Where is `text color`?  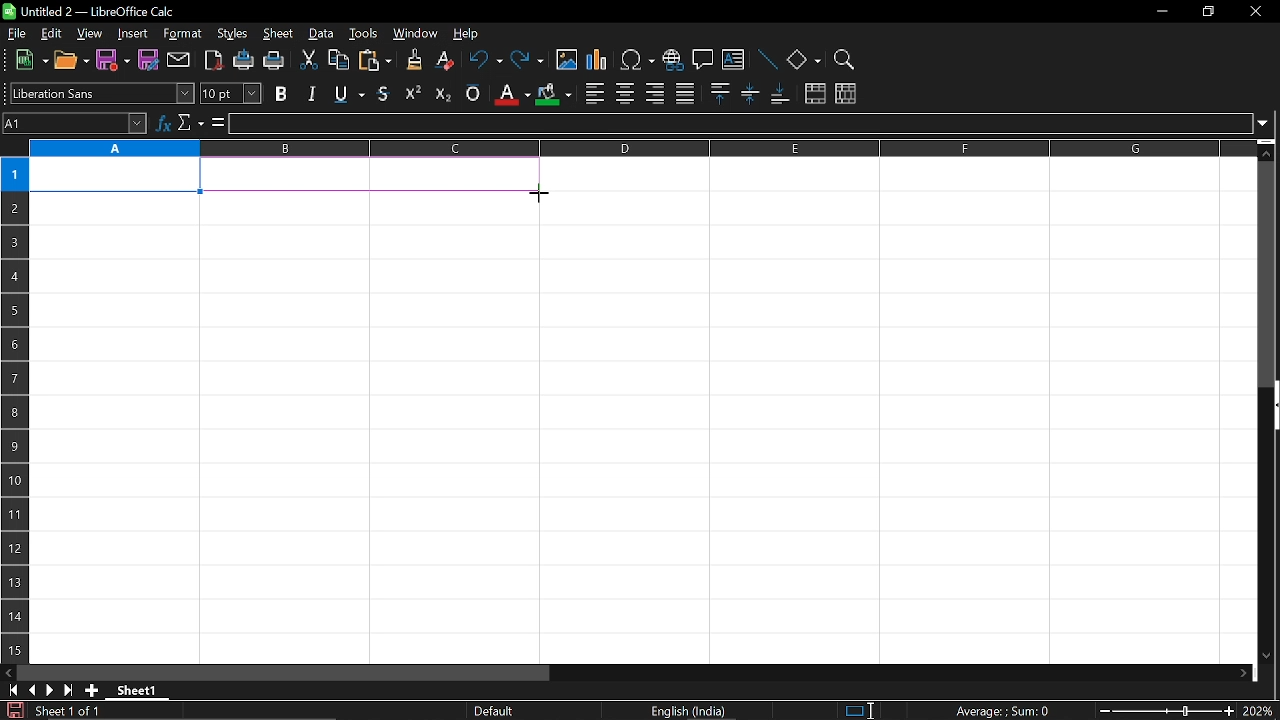
text color is located at coordinates (510, 94).